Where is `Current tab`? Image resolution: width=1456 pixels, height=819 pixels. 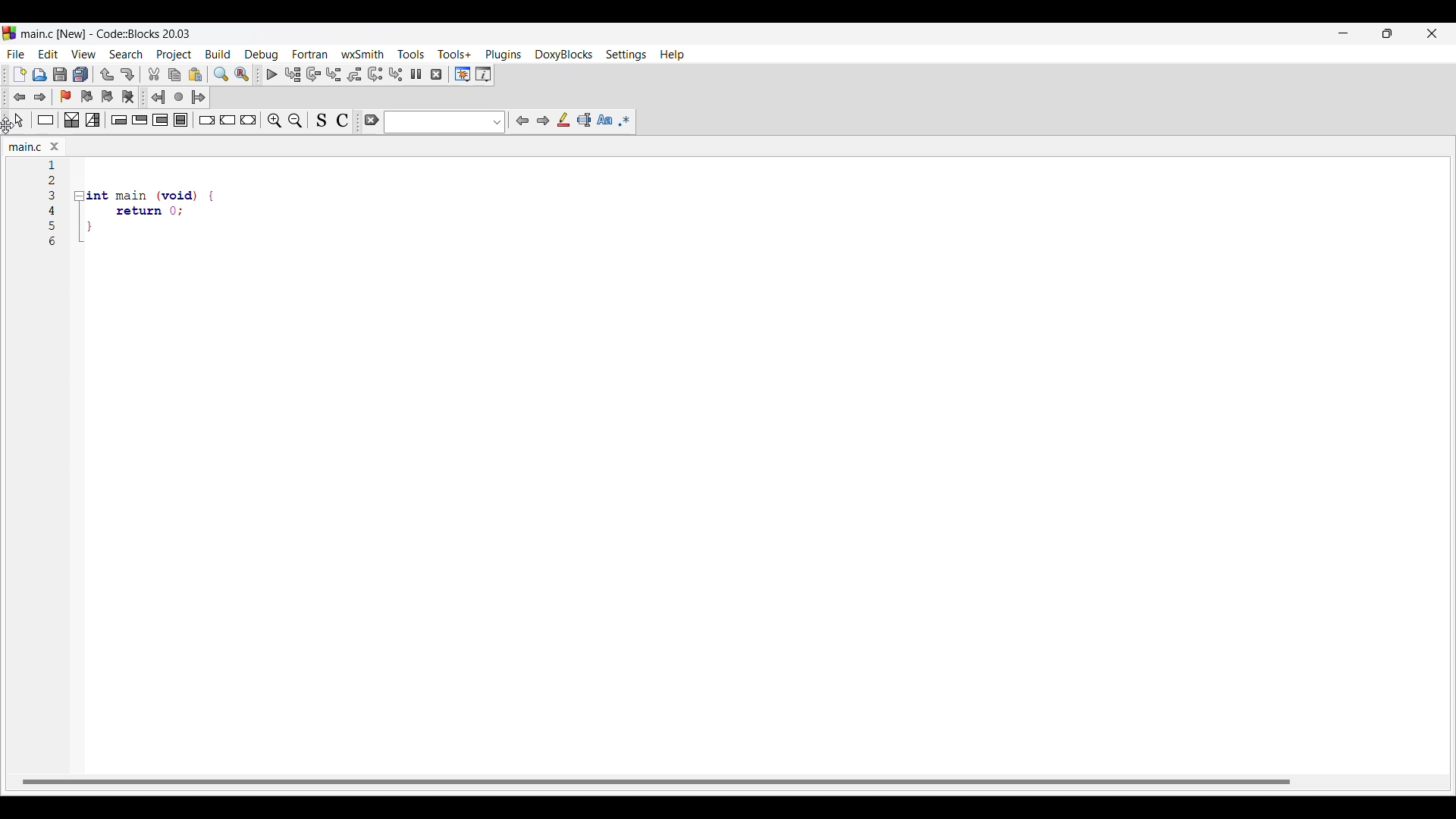
Current tab is located at coordinates (26, 147).